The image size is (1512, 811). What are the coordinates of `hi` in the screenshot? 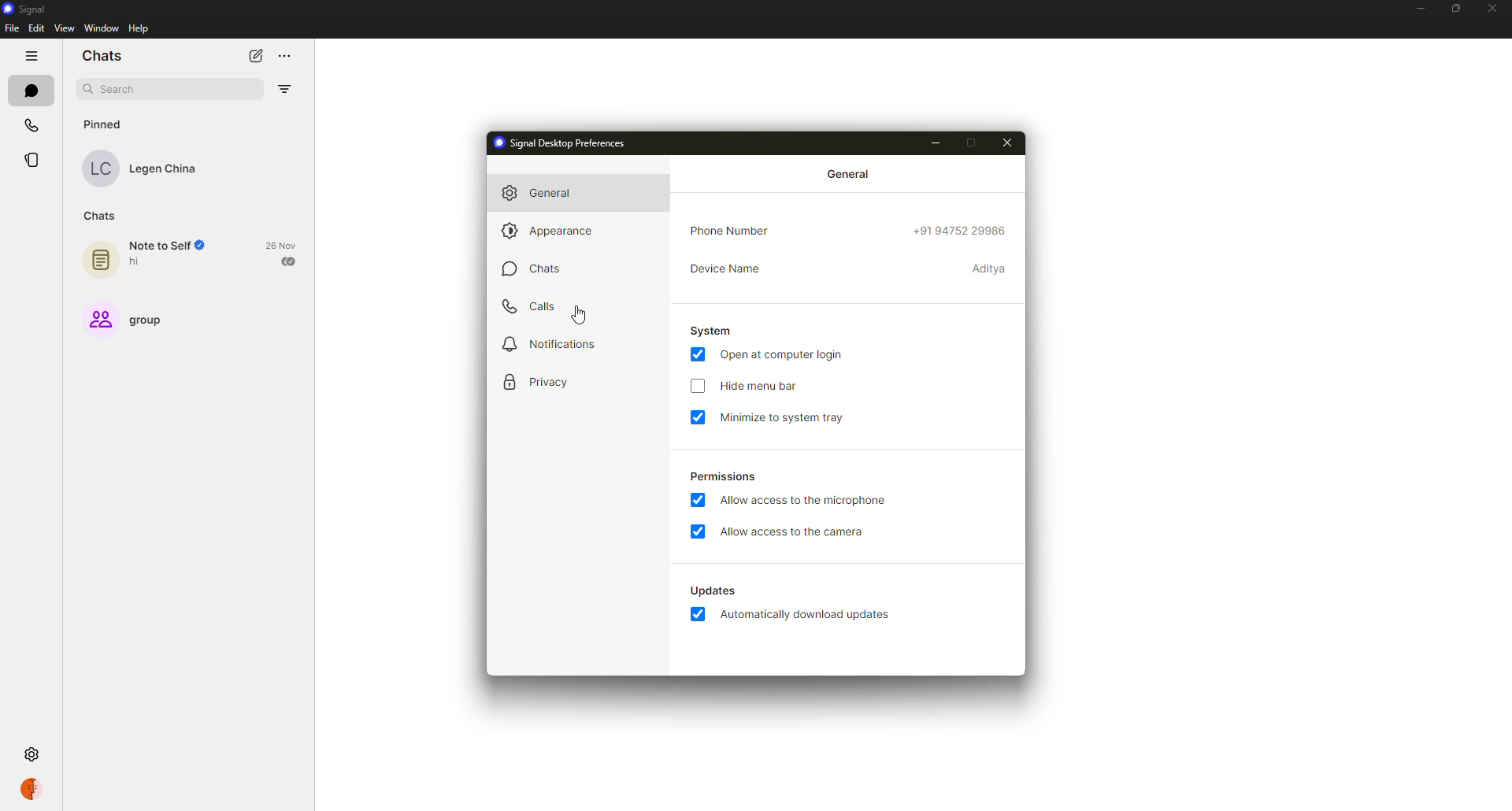 It's located at (143, 264).